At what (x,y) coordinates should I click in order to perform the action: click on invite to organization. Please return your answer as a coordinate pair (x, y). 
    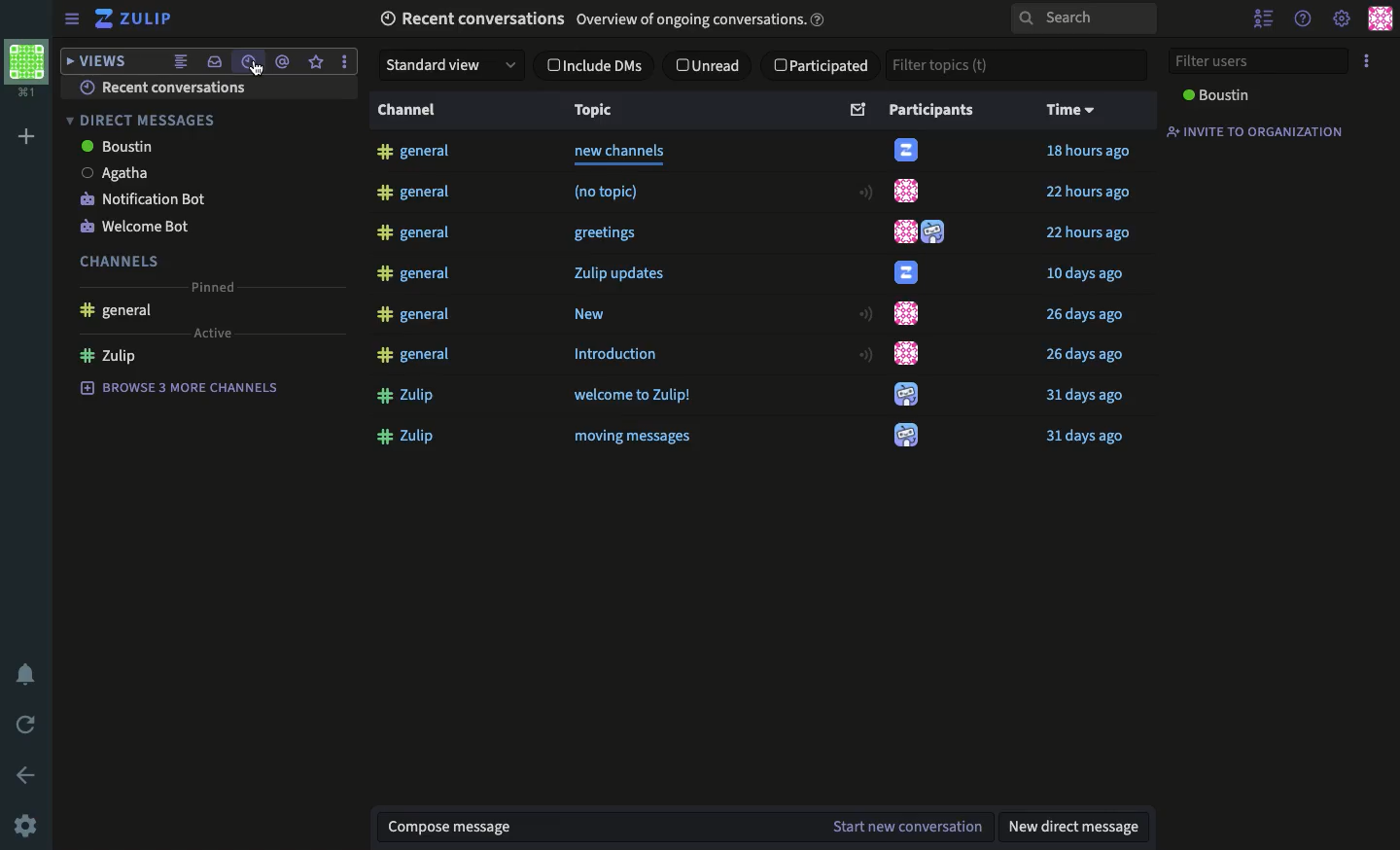
    Looking at the image, I should click on (1264, 131).